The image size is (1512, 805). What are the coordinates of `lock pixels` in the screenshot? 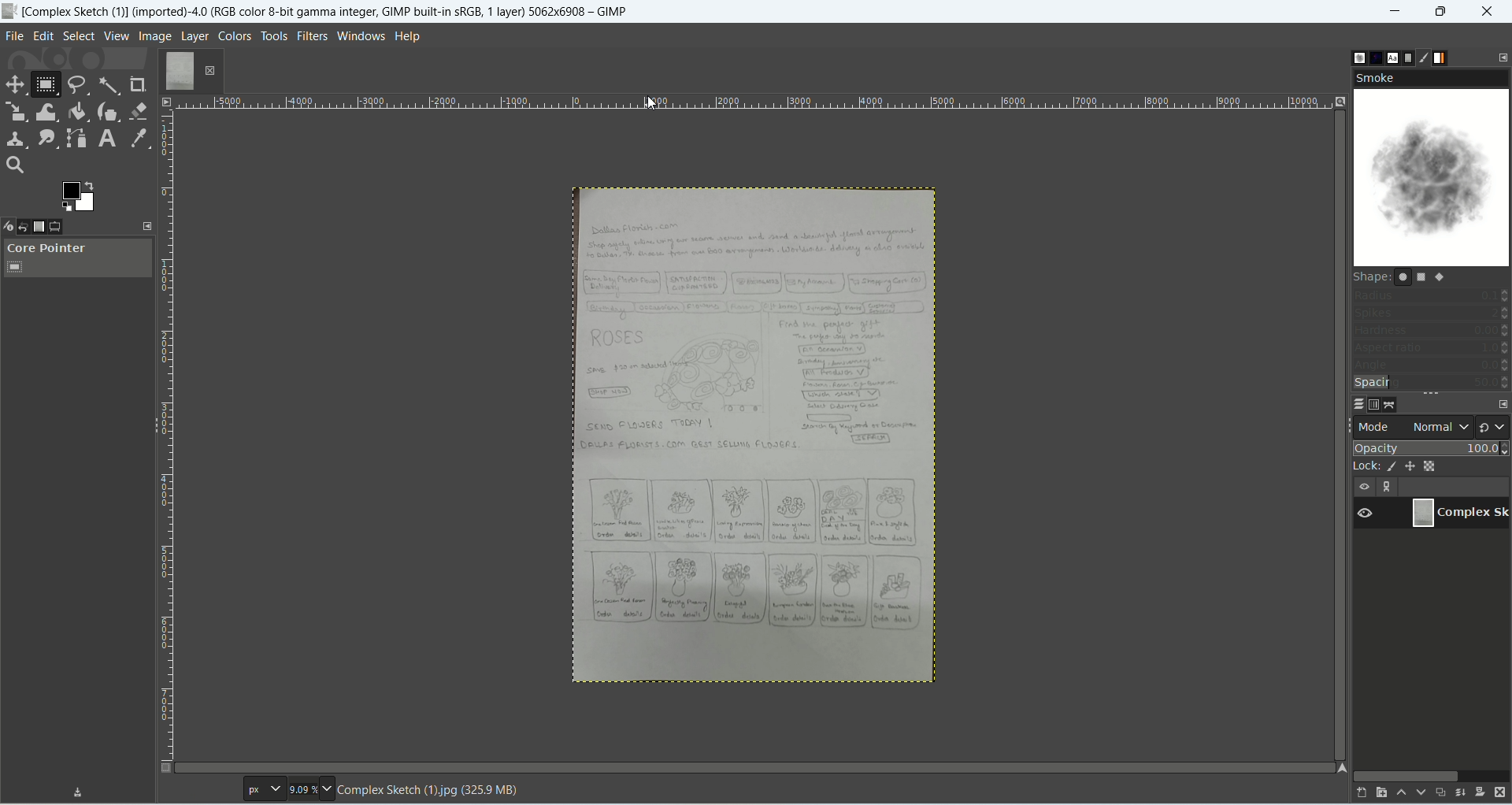 It's located at (1390, 467).